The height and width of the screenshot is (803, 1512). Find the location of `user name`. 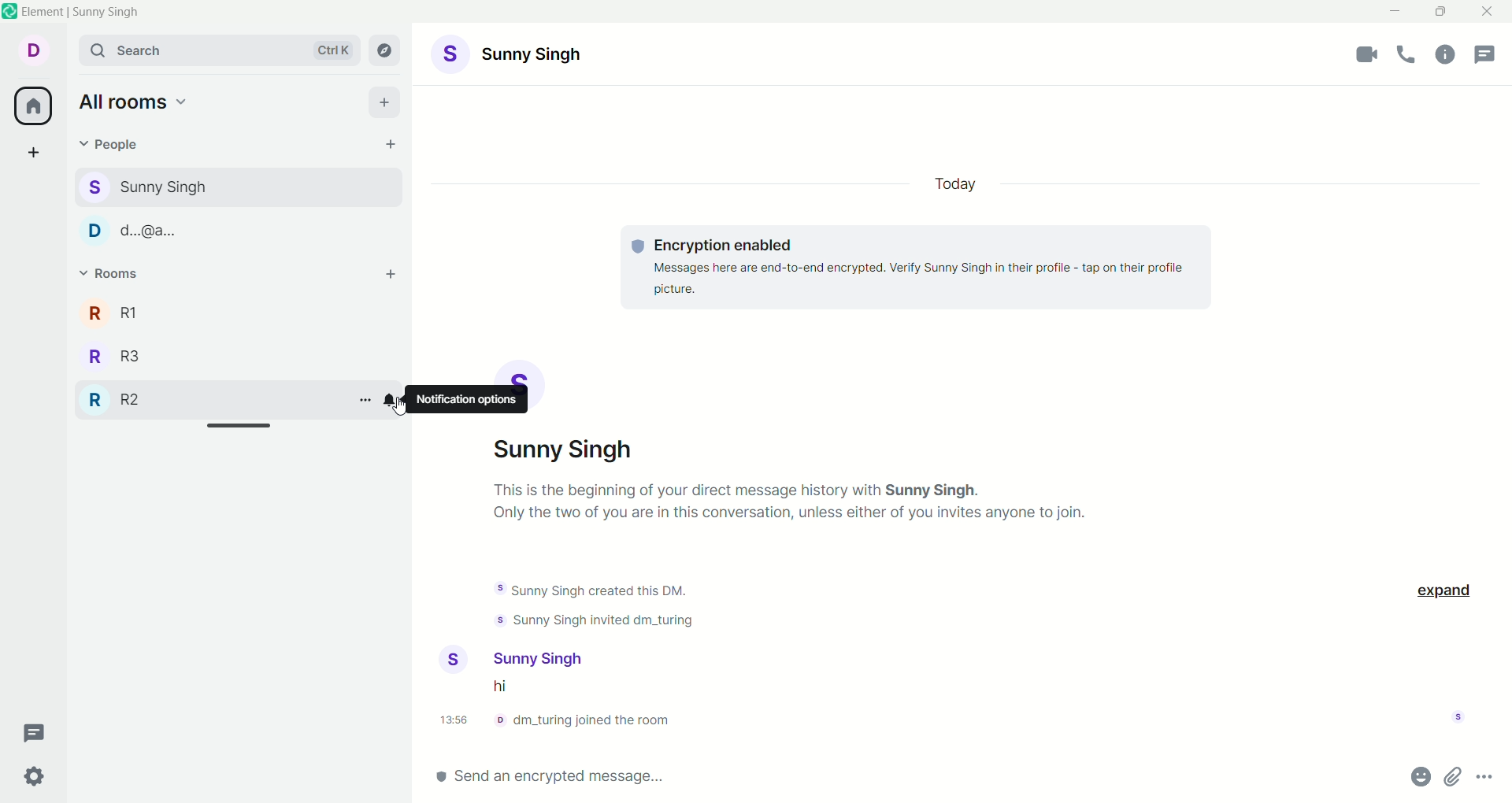

user name is located at coordinates (541, 657).